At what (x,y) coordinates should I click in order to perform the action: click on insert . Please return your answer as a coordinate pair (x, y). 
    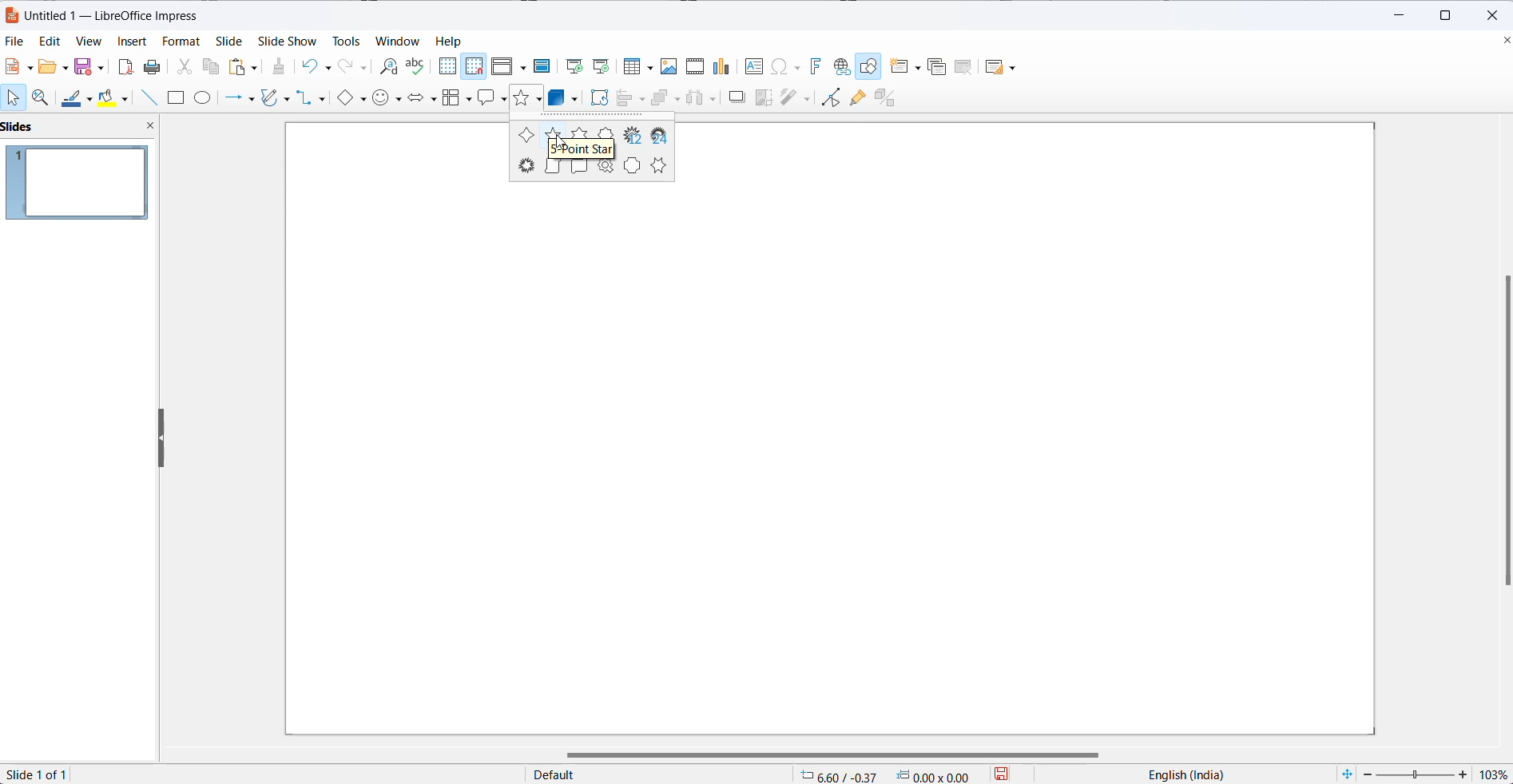
    Looking at the image, I should click on (132, 44).